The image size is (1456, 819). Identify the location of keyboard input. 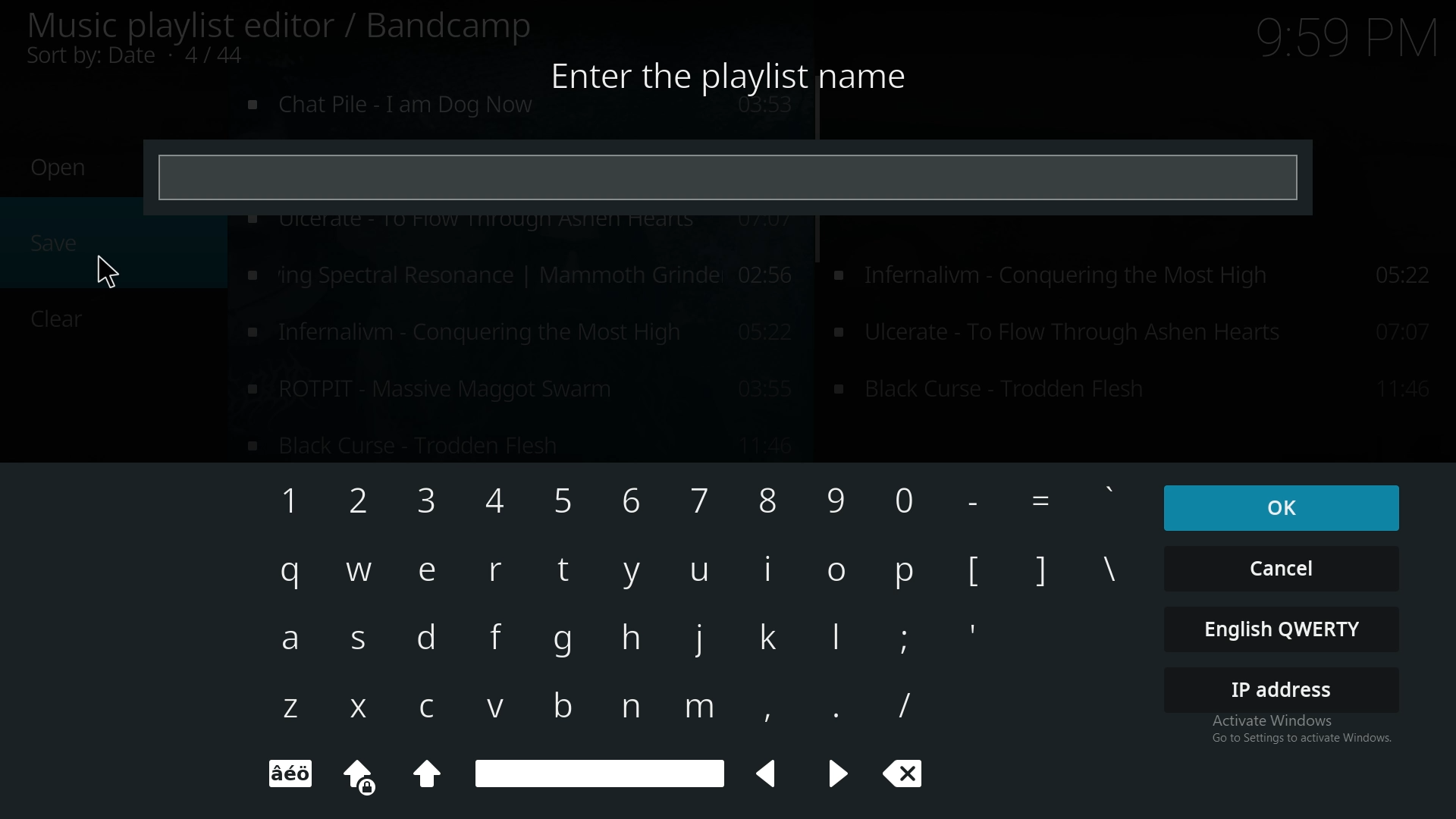
(289, 575).